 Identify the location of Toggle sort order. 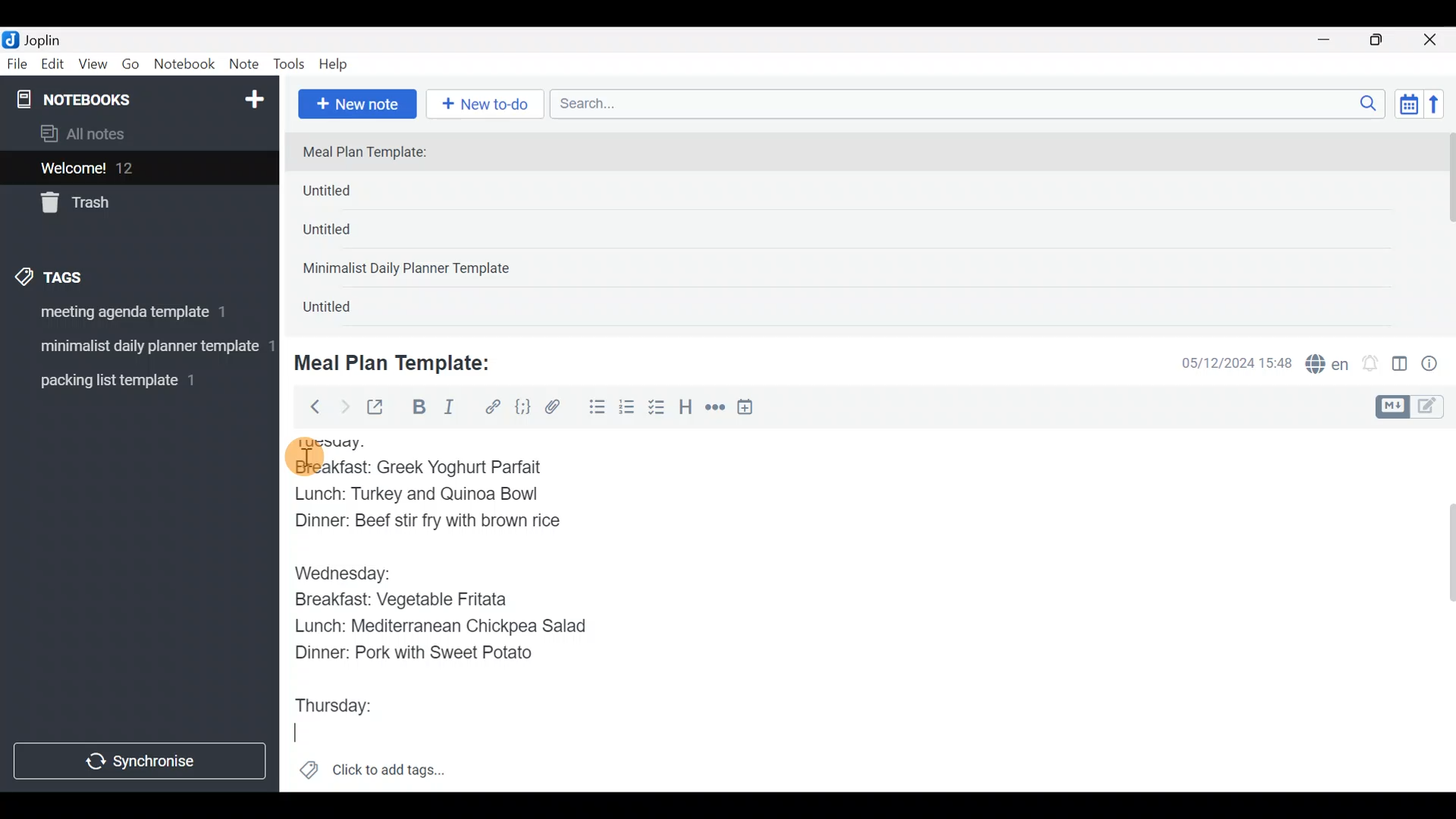
(1408, 105).